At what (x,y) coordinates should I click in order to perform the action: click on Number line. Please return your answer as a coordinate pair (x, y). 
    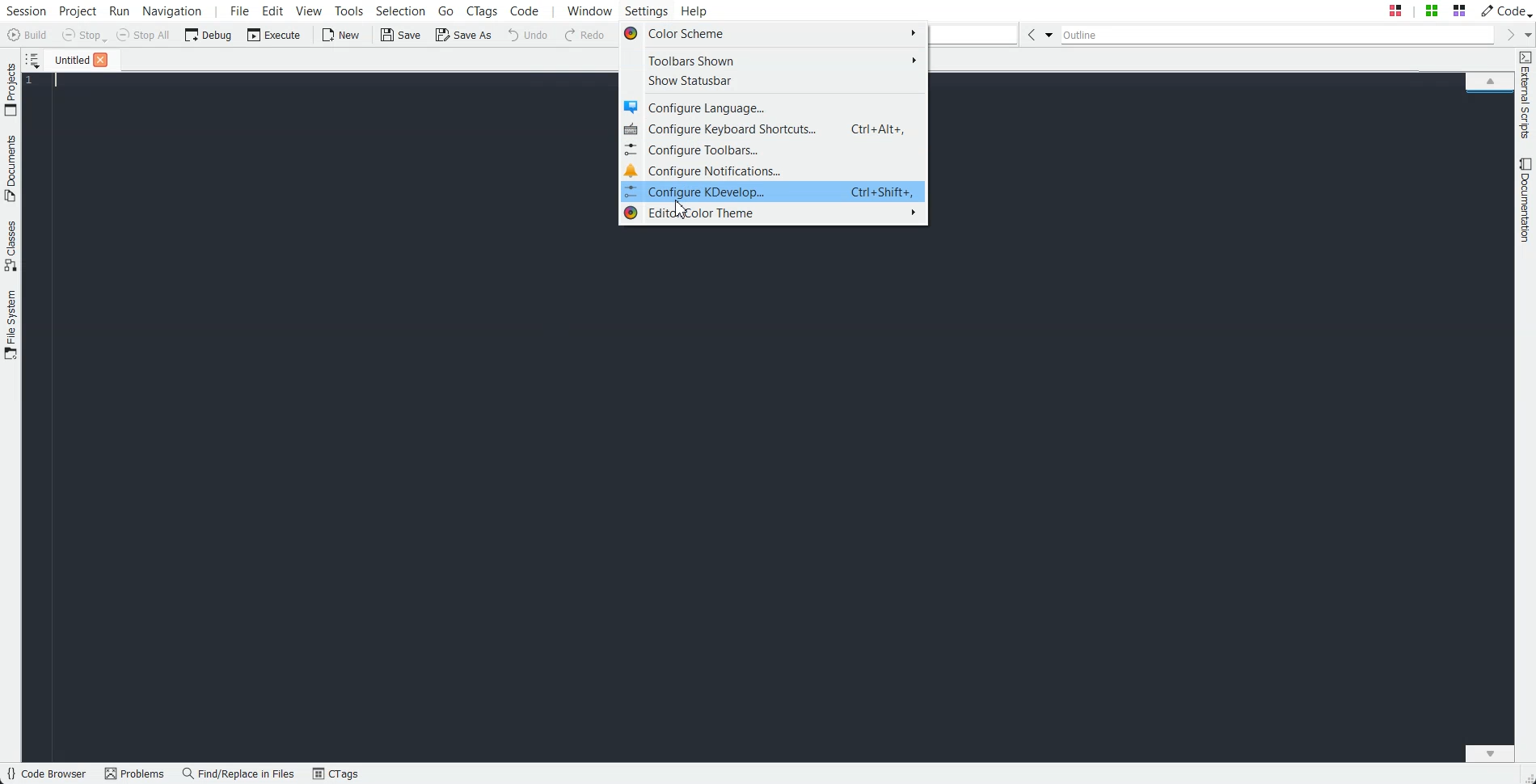
    Looking at the image, I should click on (34, 81).